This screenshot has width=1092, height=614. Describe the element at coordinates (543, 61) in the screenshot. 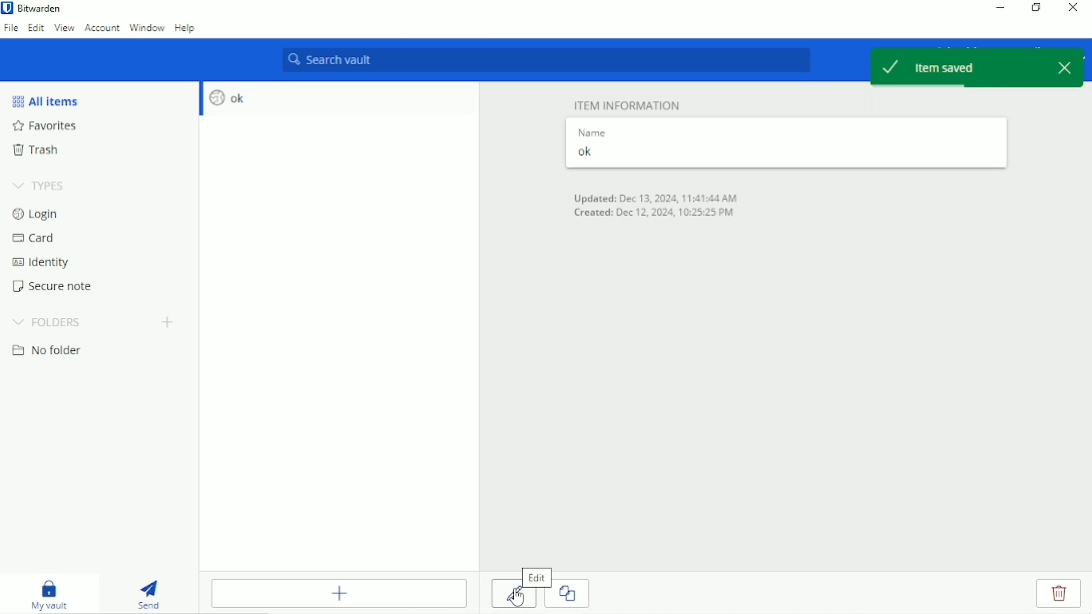

I see `Search vault` at that location.